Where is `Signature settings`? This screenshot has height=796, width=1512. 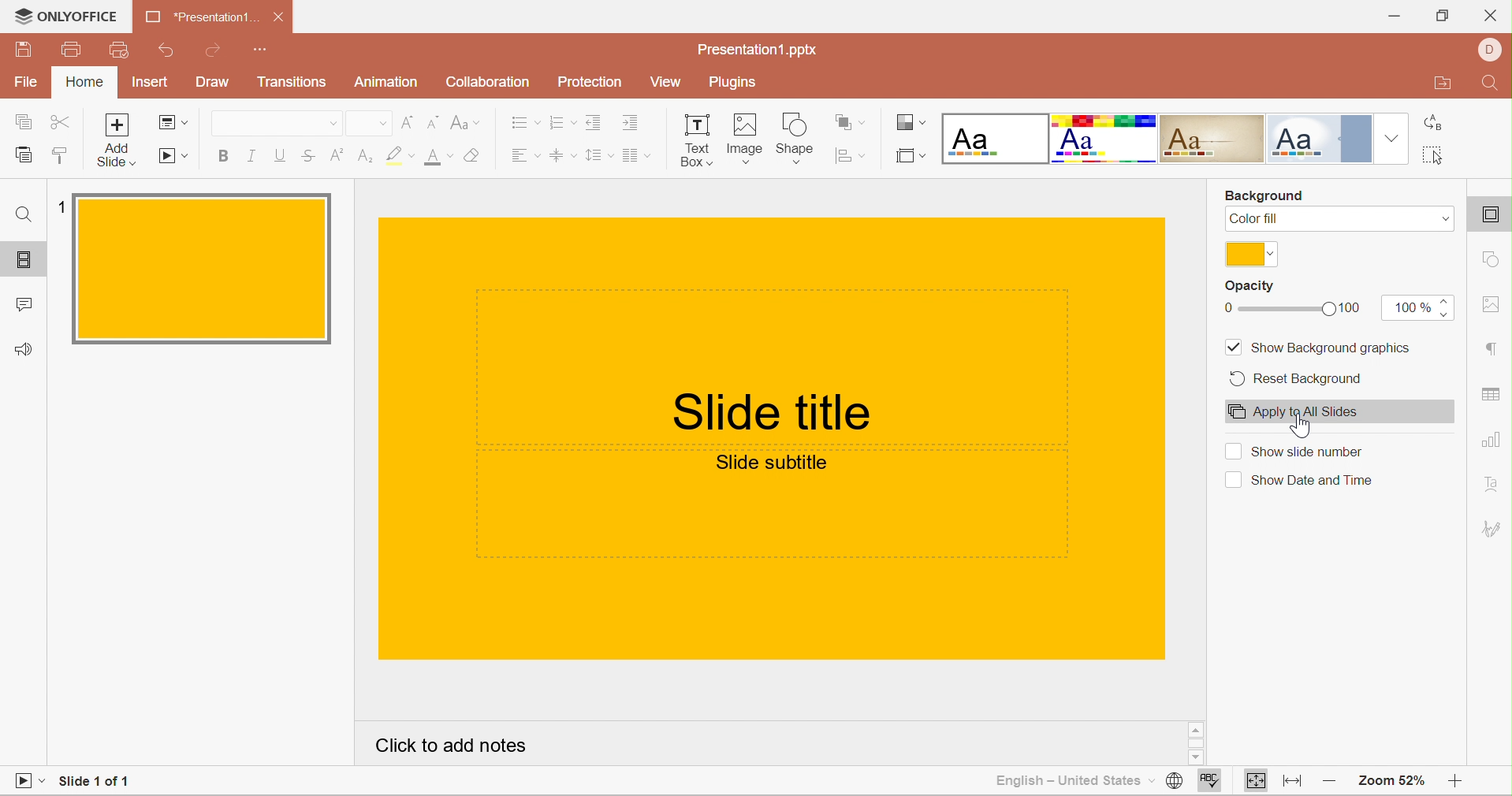 Signature settings is located at coordinates (1494, 527).